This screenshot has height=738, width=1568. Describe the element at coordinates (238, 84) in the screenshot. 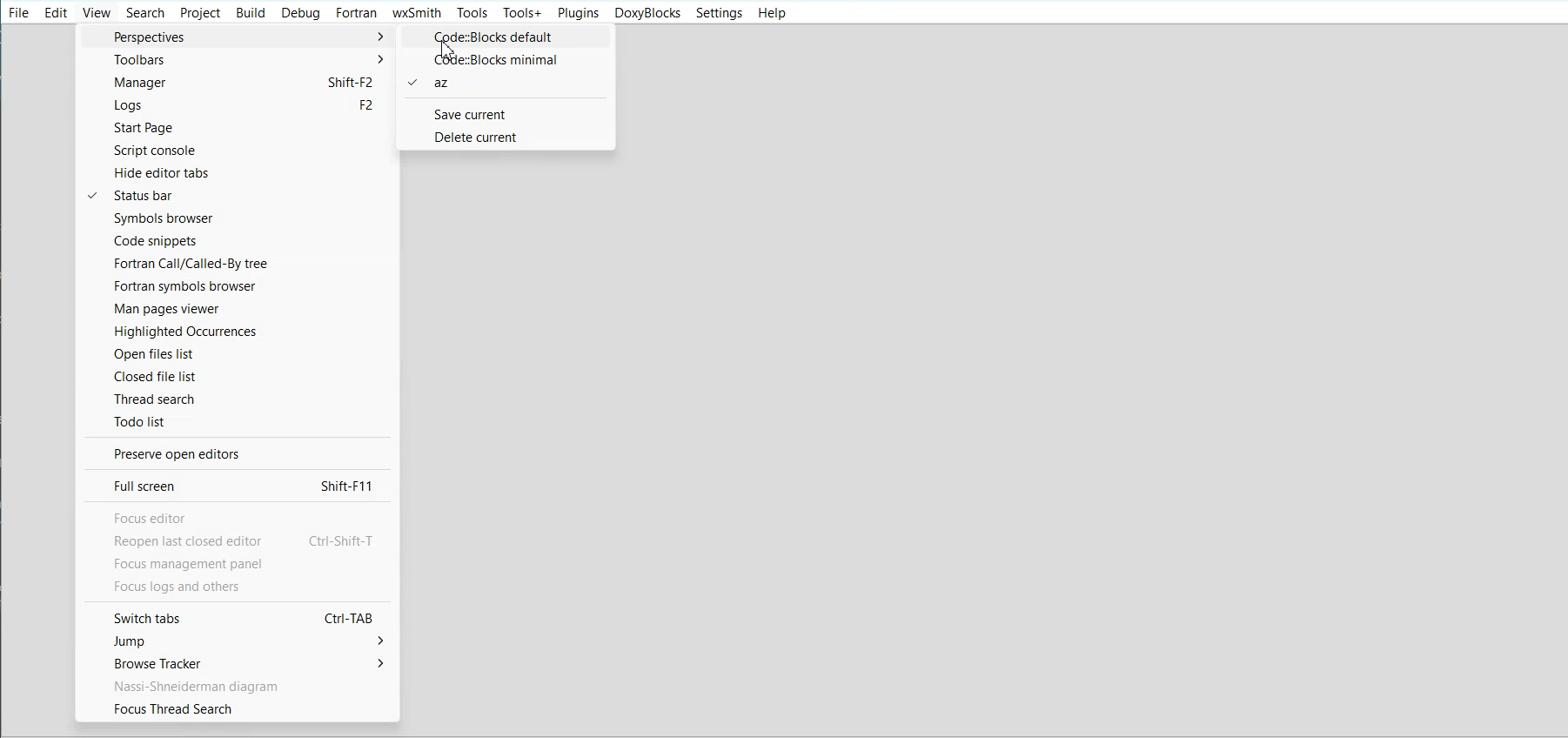

I see `Manager` at that location.